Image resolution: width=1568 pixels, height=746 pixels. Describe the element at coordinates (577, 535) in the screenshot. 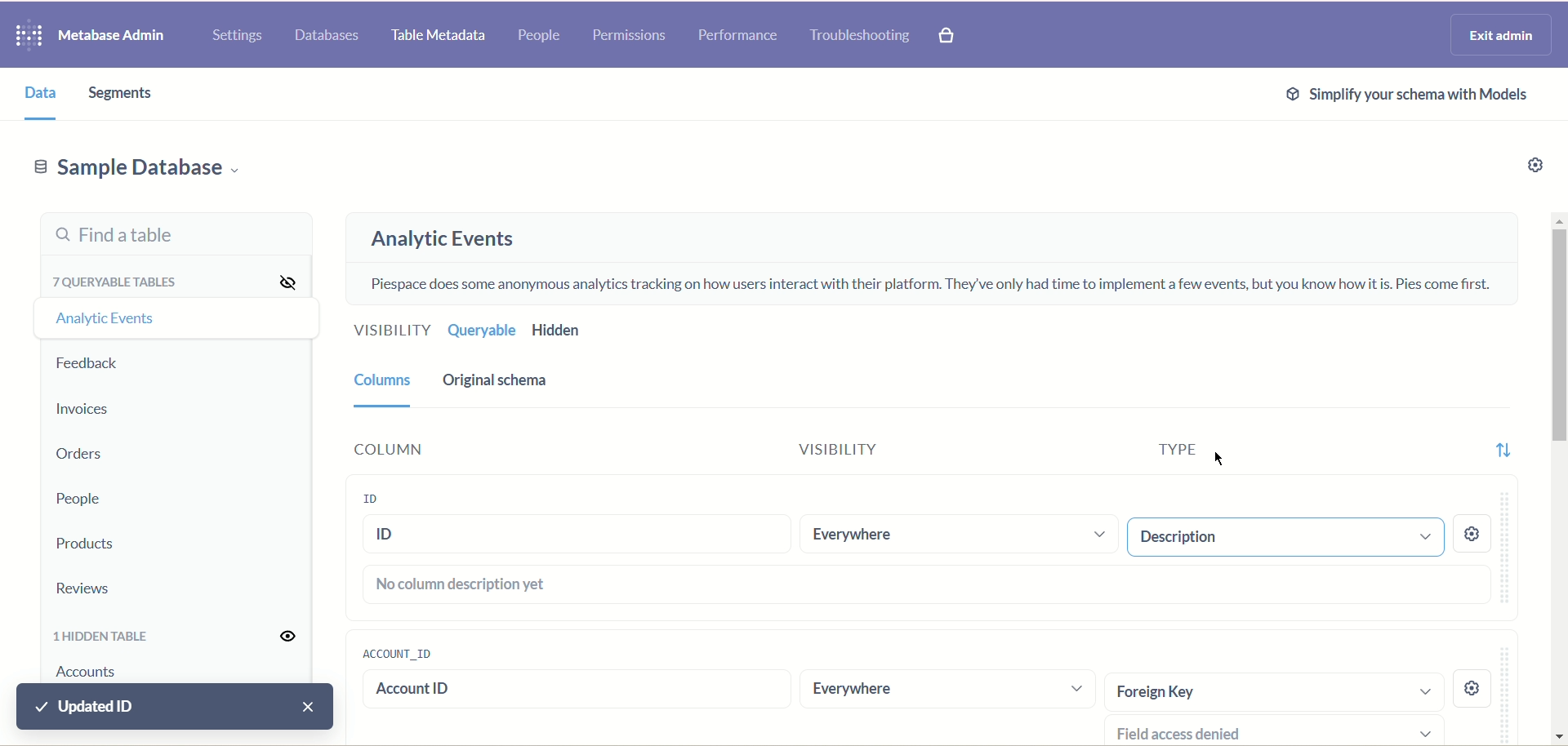

I see `ID` at that location.